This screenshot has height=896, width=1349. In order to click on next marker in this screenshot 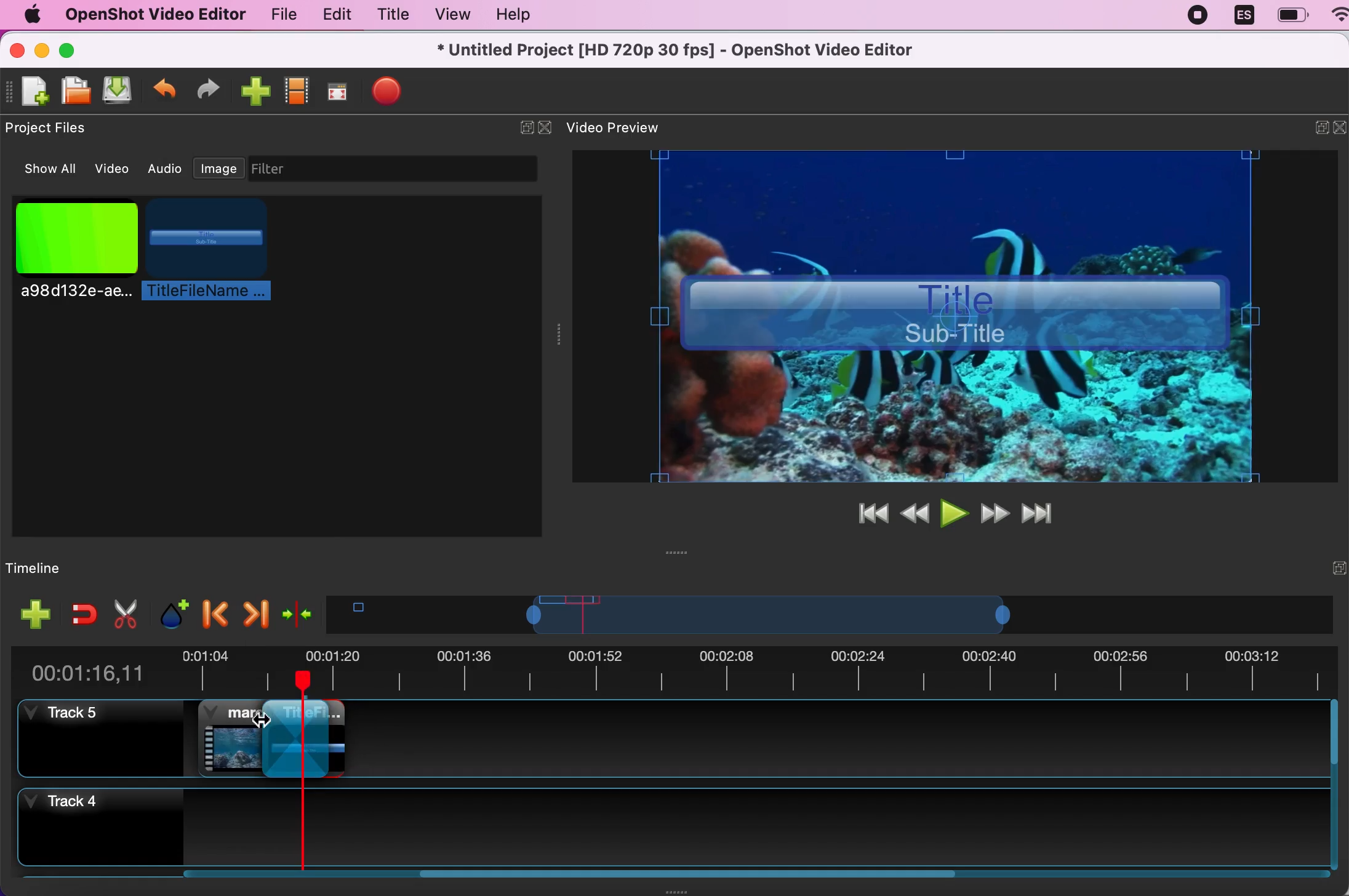, I will do `click(255, 610)`.